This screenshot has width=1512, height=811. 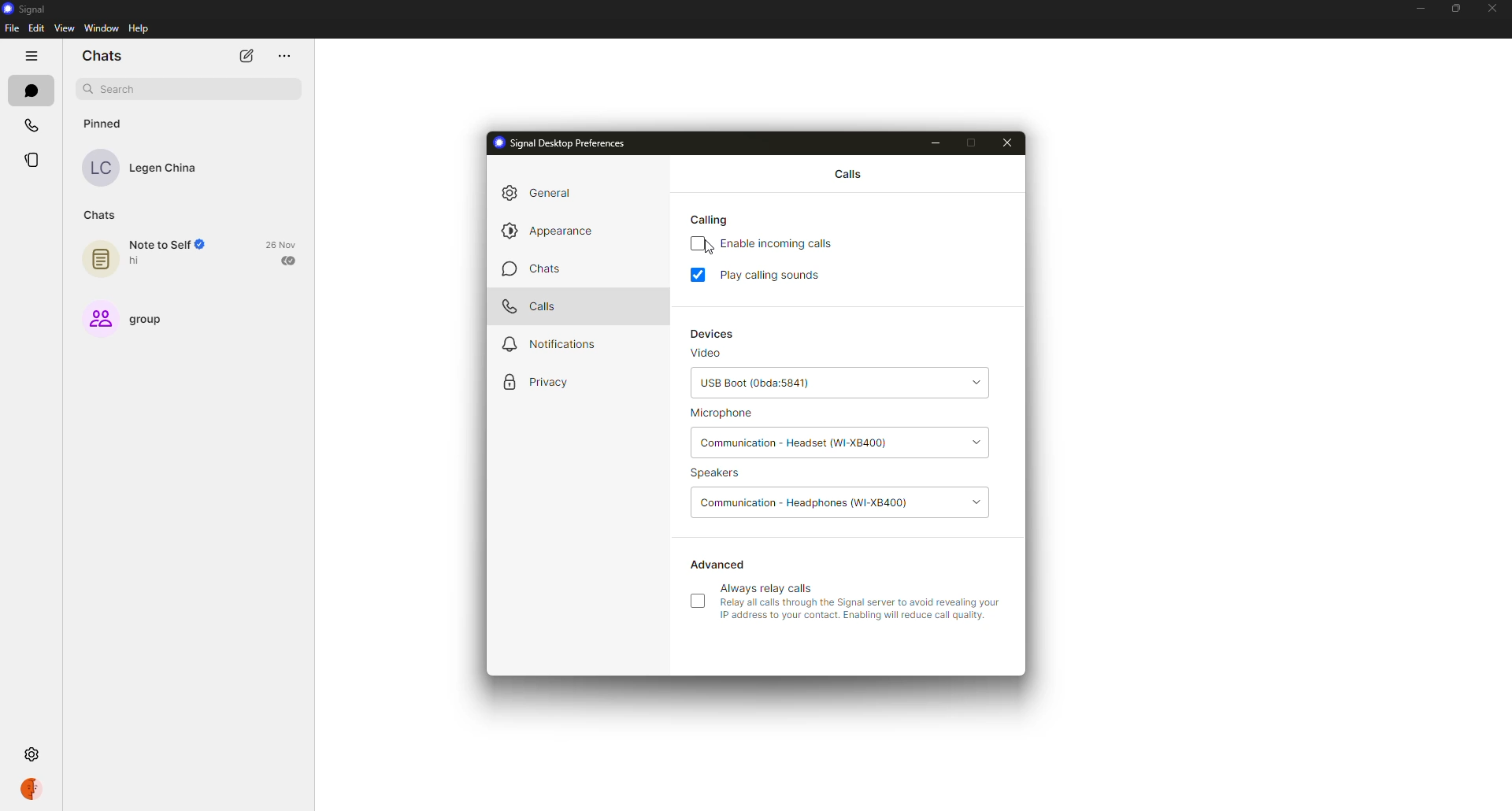 What do you see at coordinates (699, 243) in the screenshot?
I see `disabled` at bounding box center [699, 243].